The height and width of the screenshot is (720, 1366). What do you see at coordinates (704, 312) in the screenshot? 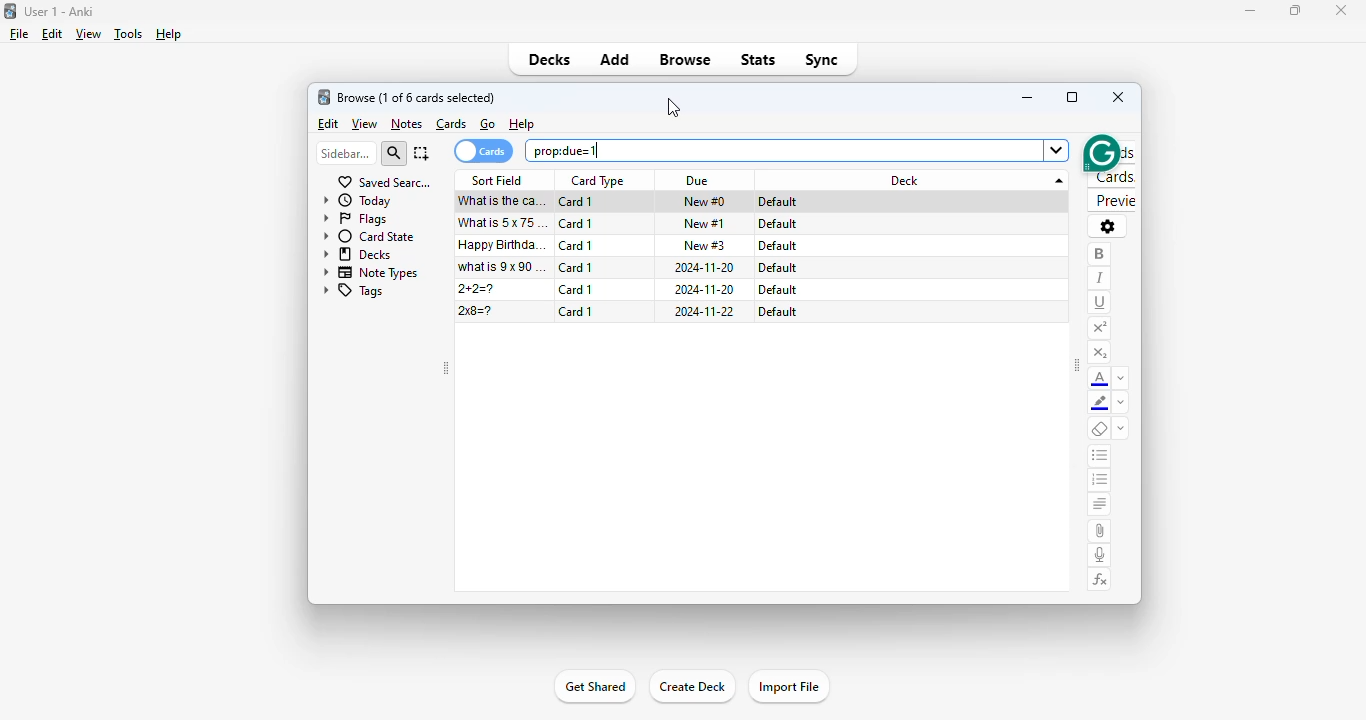
I see `2024-11-22` at bounding box center [704, 312].